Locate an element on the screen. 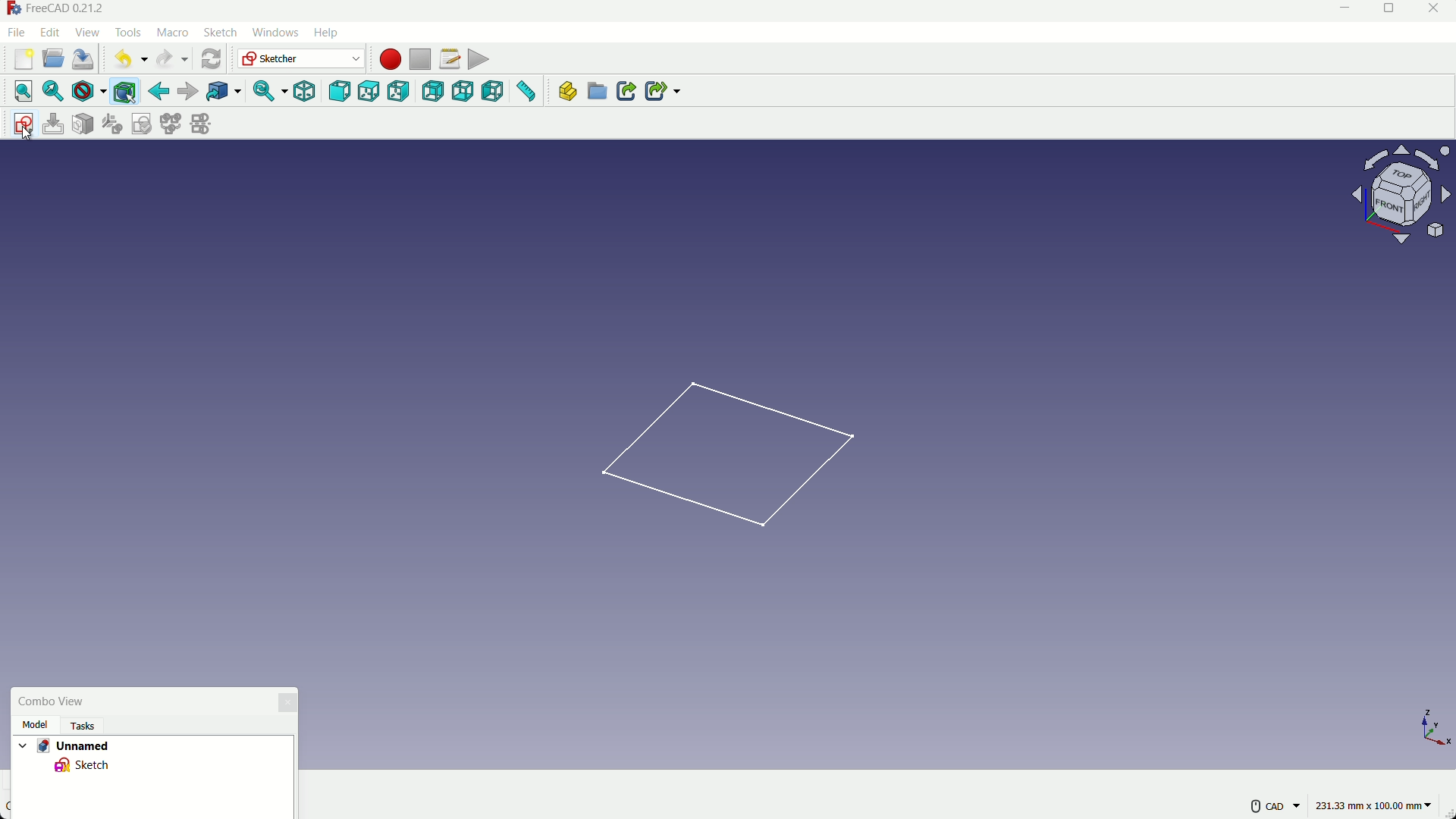  validate sketches is located at coordinates (141, 124).